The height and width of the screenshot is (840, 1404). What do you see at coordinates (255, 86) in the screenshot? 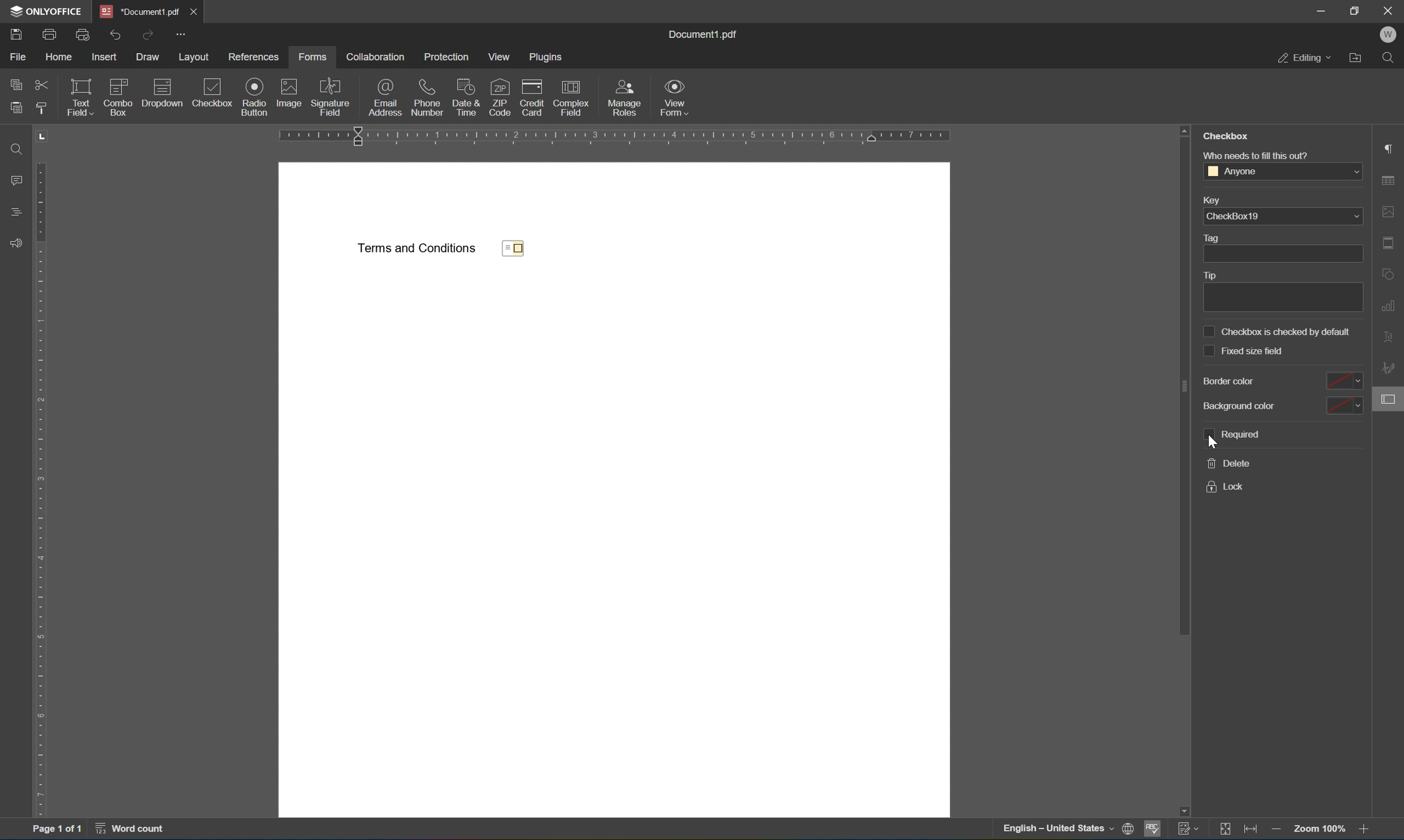
I see `icon` at bounding box center [255, 86].